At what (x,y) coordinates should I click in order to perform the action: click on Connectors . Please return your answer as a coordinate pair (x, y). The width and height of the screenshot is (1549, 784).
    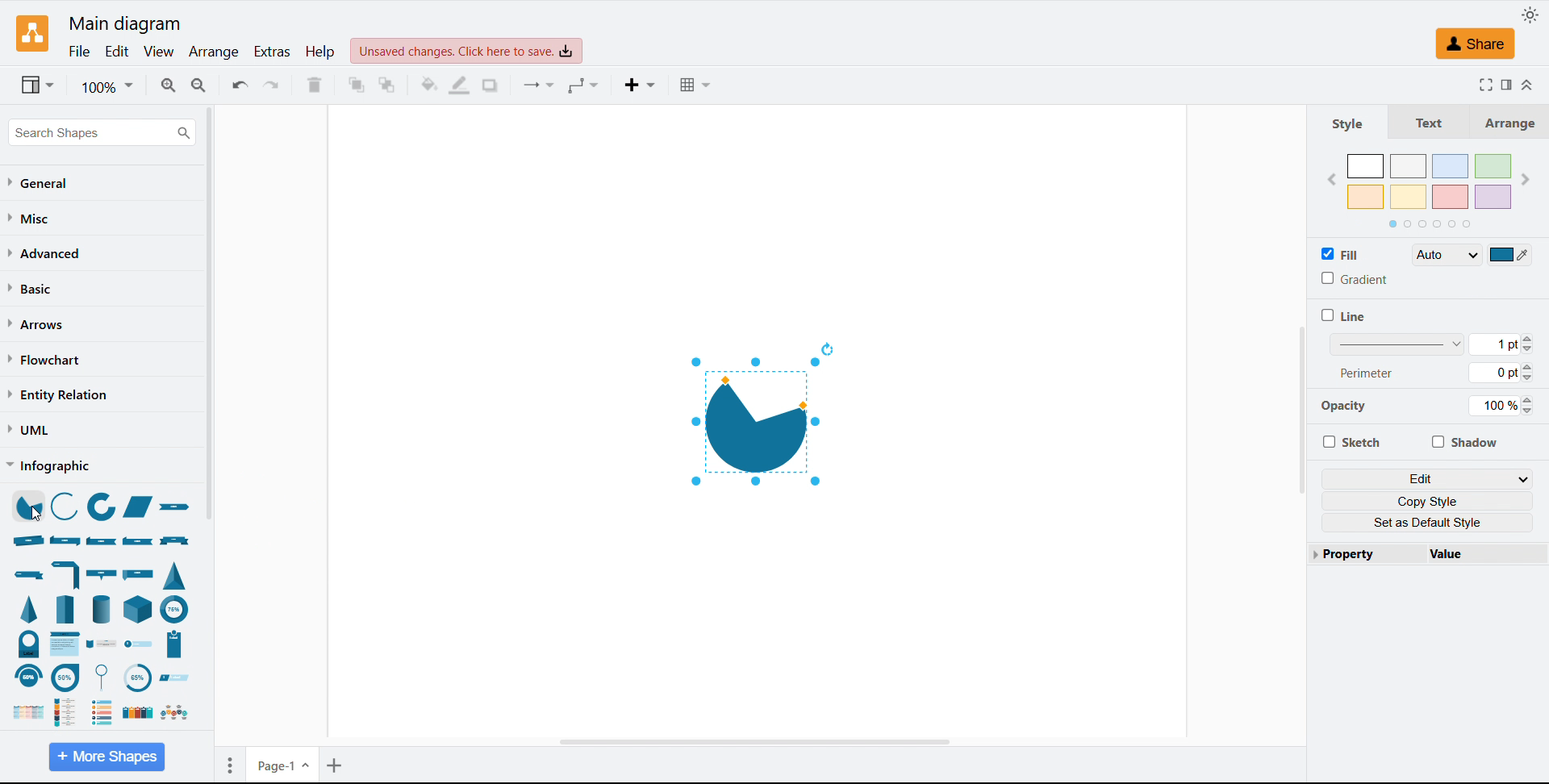
    Looking at the image, I should click on (540, 85).